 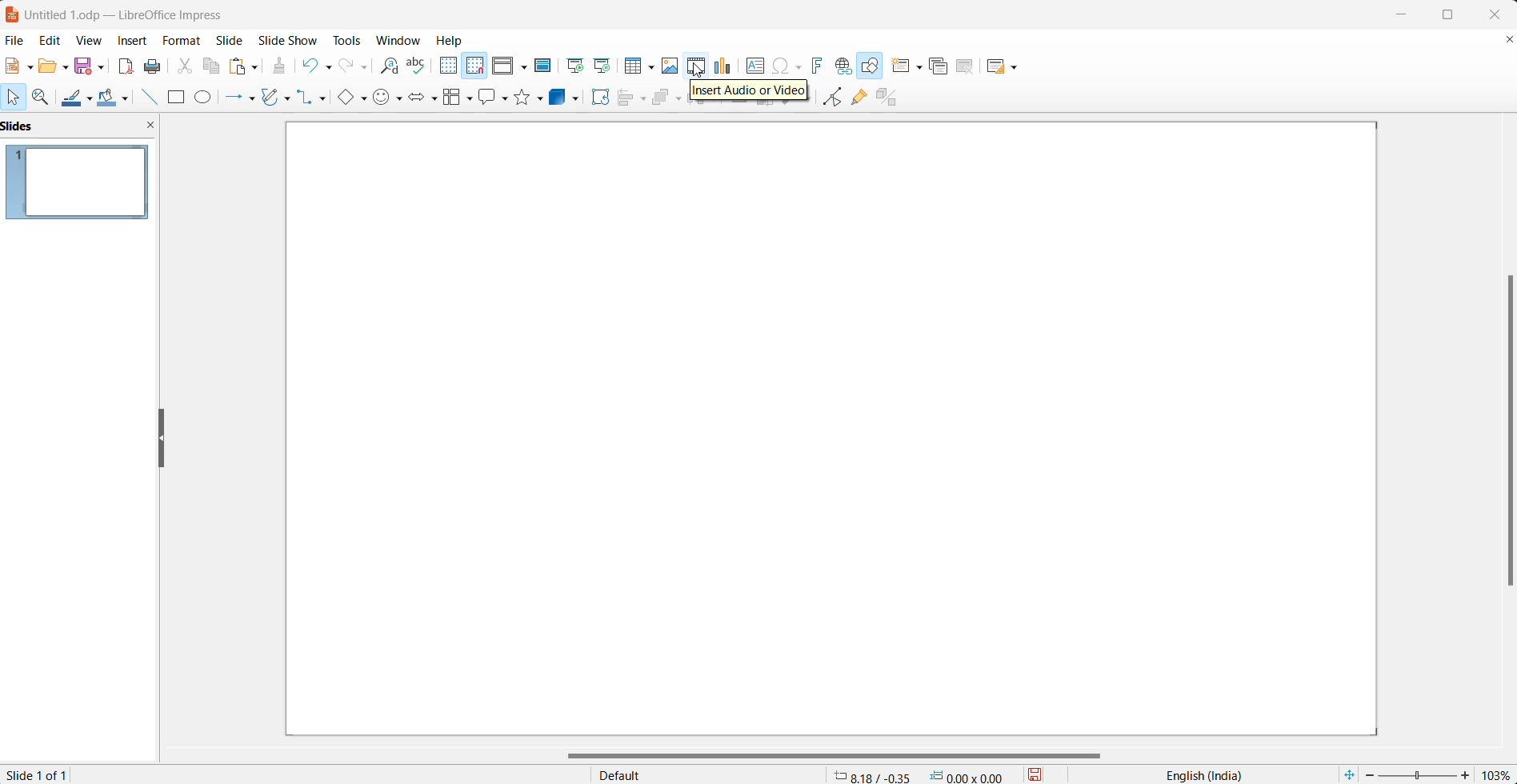 What do you see at coordinates (453, 100) in the screenshot?
I see `flowchart` at bounding box center [453, 100].